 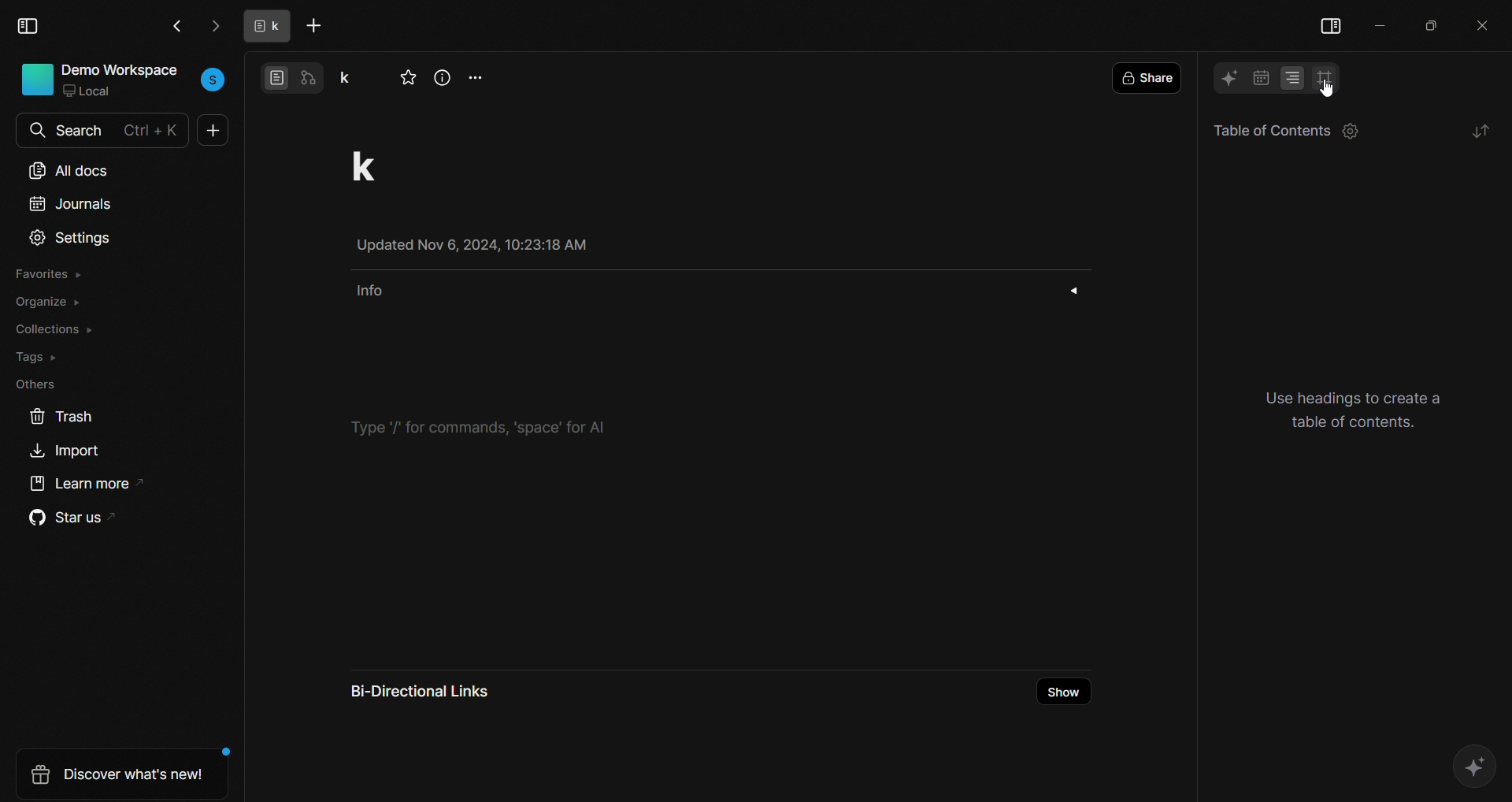 What do you see at coordinates (1293, 76) in the screenshot?
I see `table of contents` at bounding box center [1293, 76].